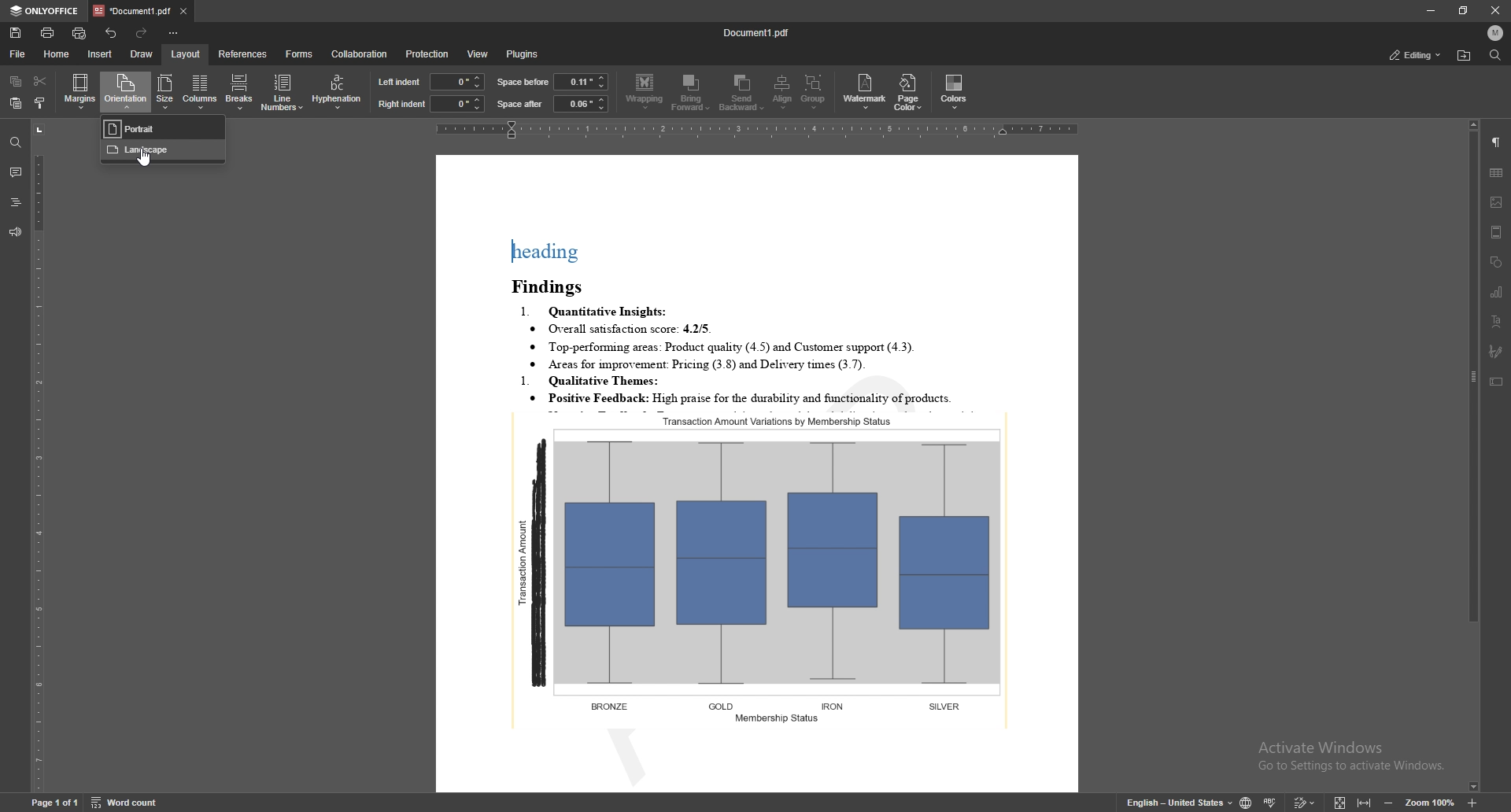 The width and height of the screenshot is (1511, 812). I want to click on profile, so click(1497, 33).